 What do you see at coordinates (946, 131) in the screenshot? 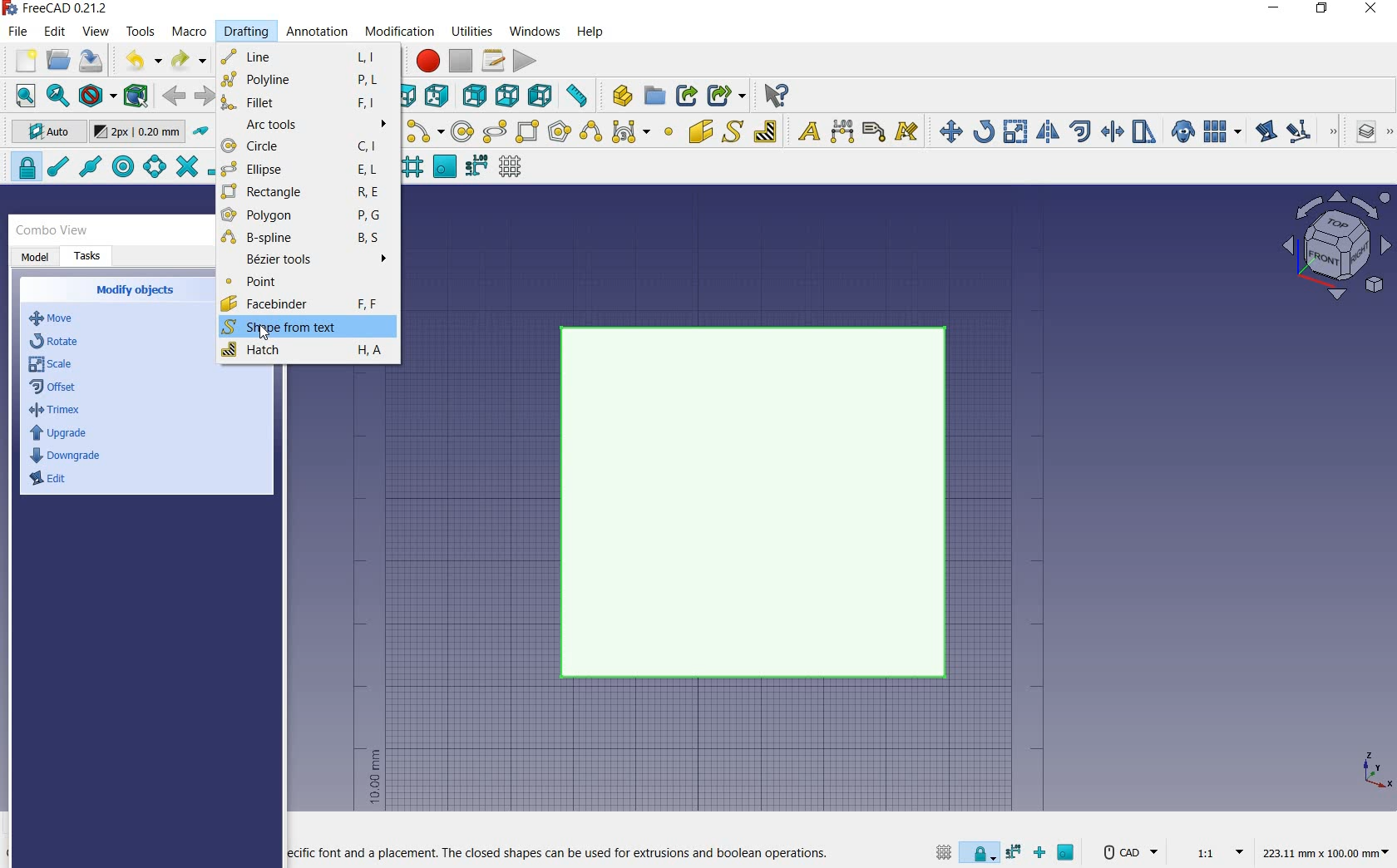
I see `move` at bounding box center [946, 131].